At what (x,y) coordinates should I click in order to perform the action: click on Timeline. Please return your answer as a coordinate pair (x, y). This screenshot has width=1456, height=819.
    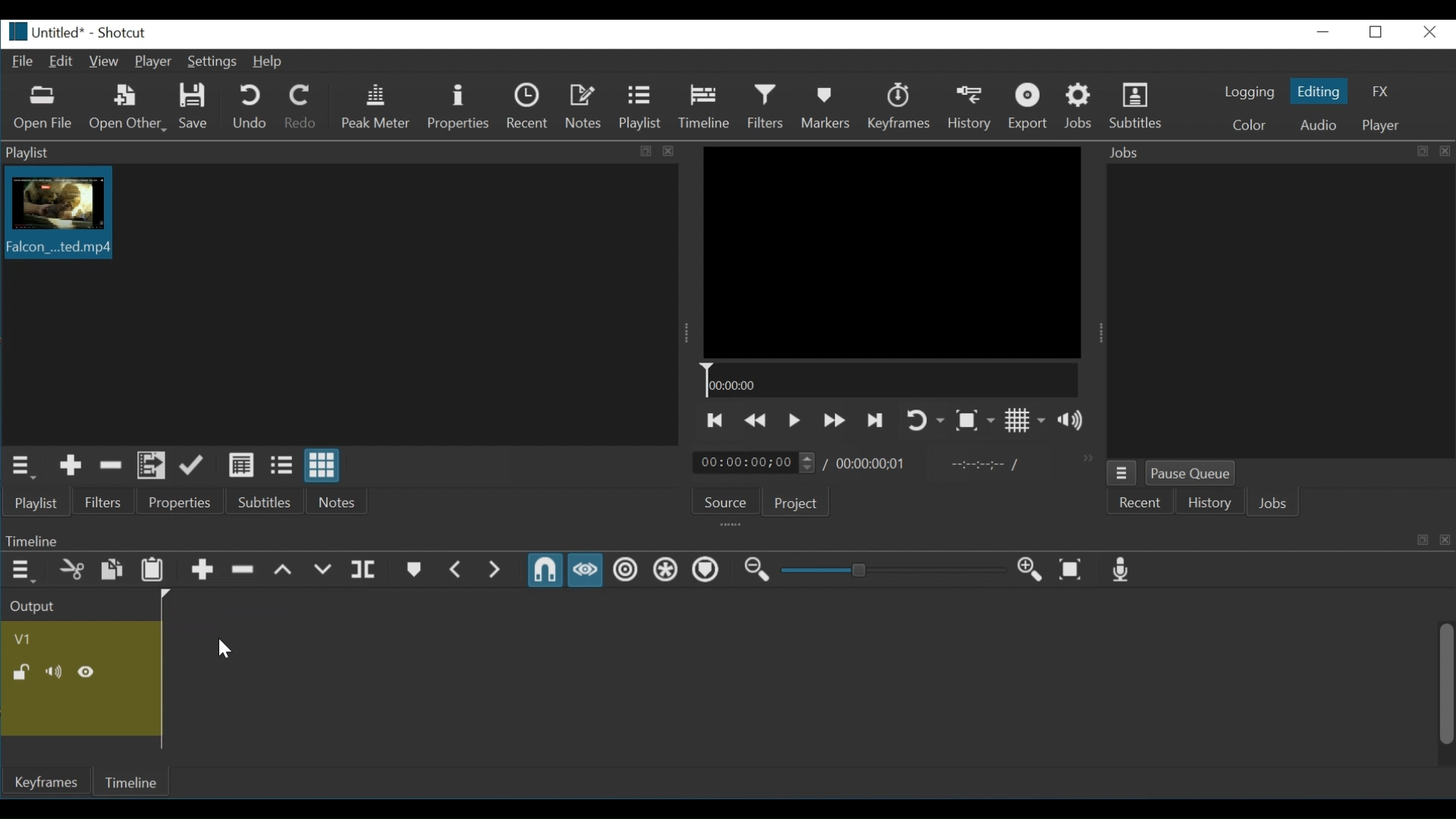
    Looking at the image, I should click on (895, 381).